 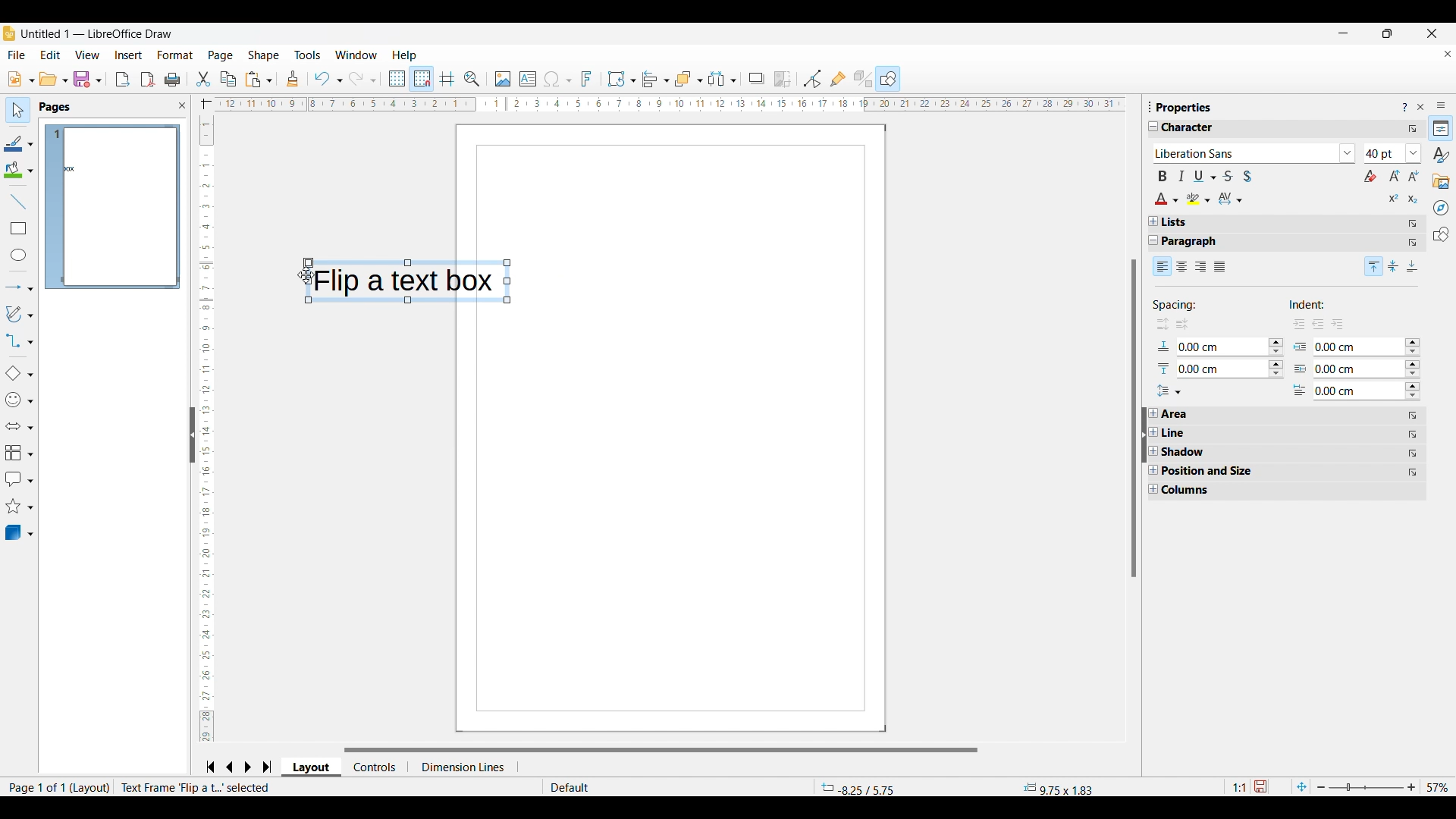 I want to click on Insert text box, so click(x=528, y=79).